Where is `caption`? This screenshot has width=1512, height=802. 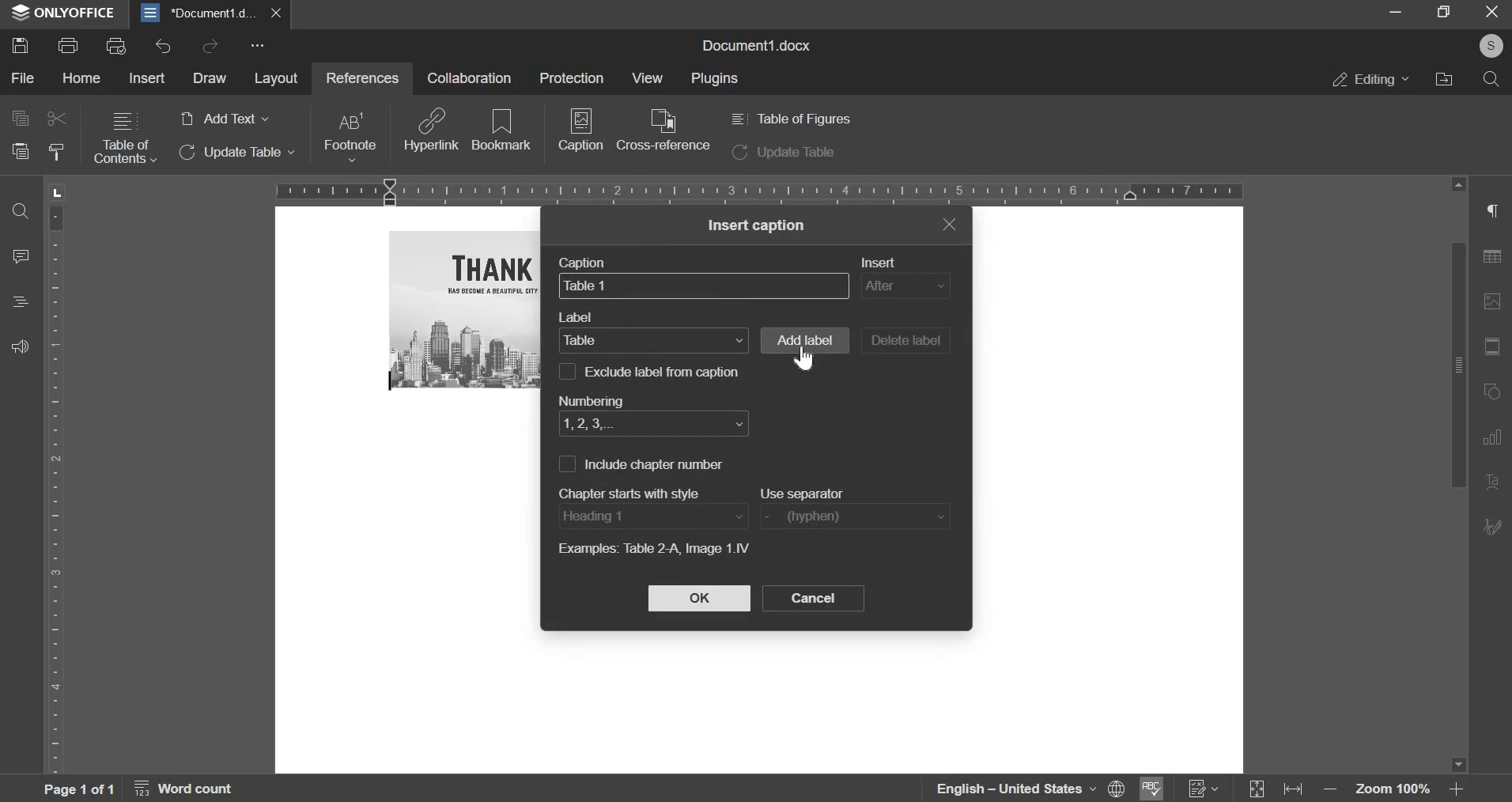
caption is located at coordinates (581, 135).